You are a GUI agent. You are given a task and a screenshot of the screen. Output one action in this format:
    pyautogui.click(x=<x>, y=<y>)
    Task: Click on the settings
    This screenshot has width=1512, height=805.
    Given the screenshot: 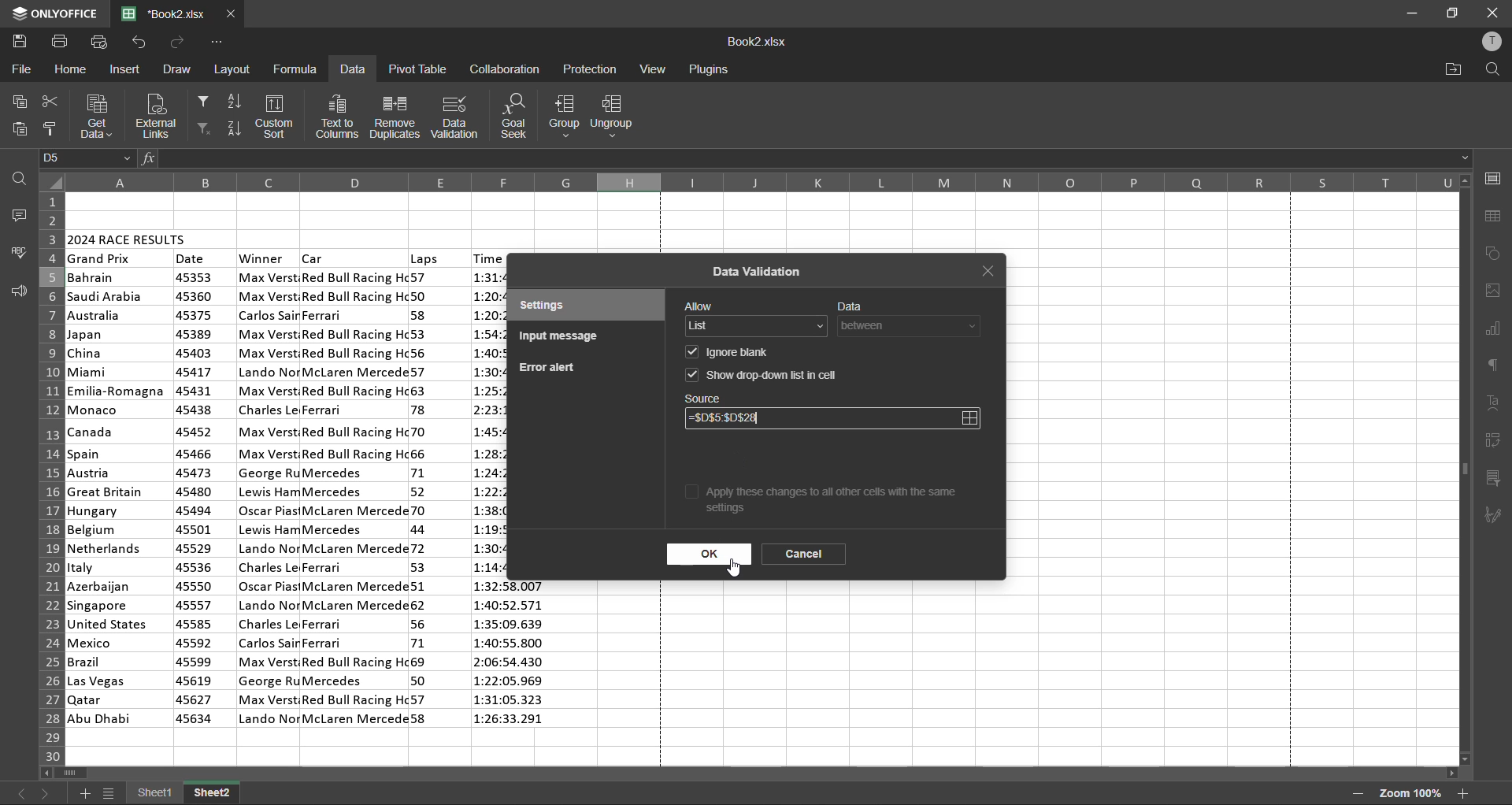 What is the action you would take?
    pyautogui.click(x=569, y=306)
    